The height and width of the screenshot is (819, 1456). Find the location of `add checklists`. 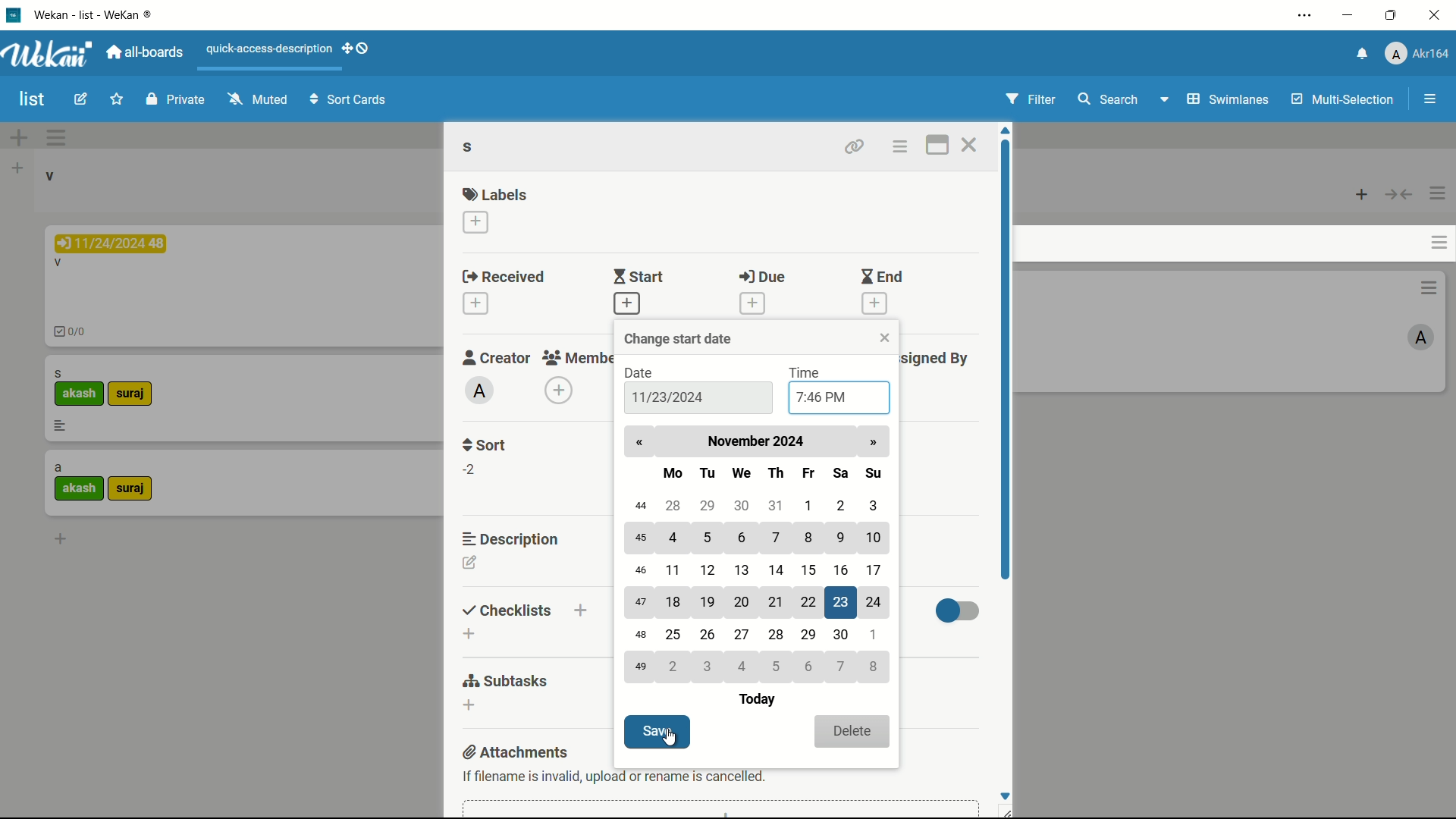

add checklists is located at coordinates (468, 634).